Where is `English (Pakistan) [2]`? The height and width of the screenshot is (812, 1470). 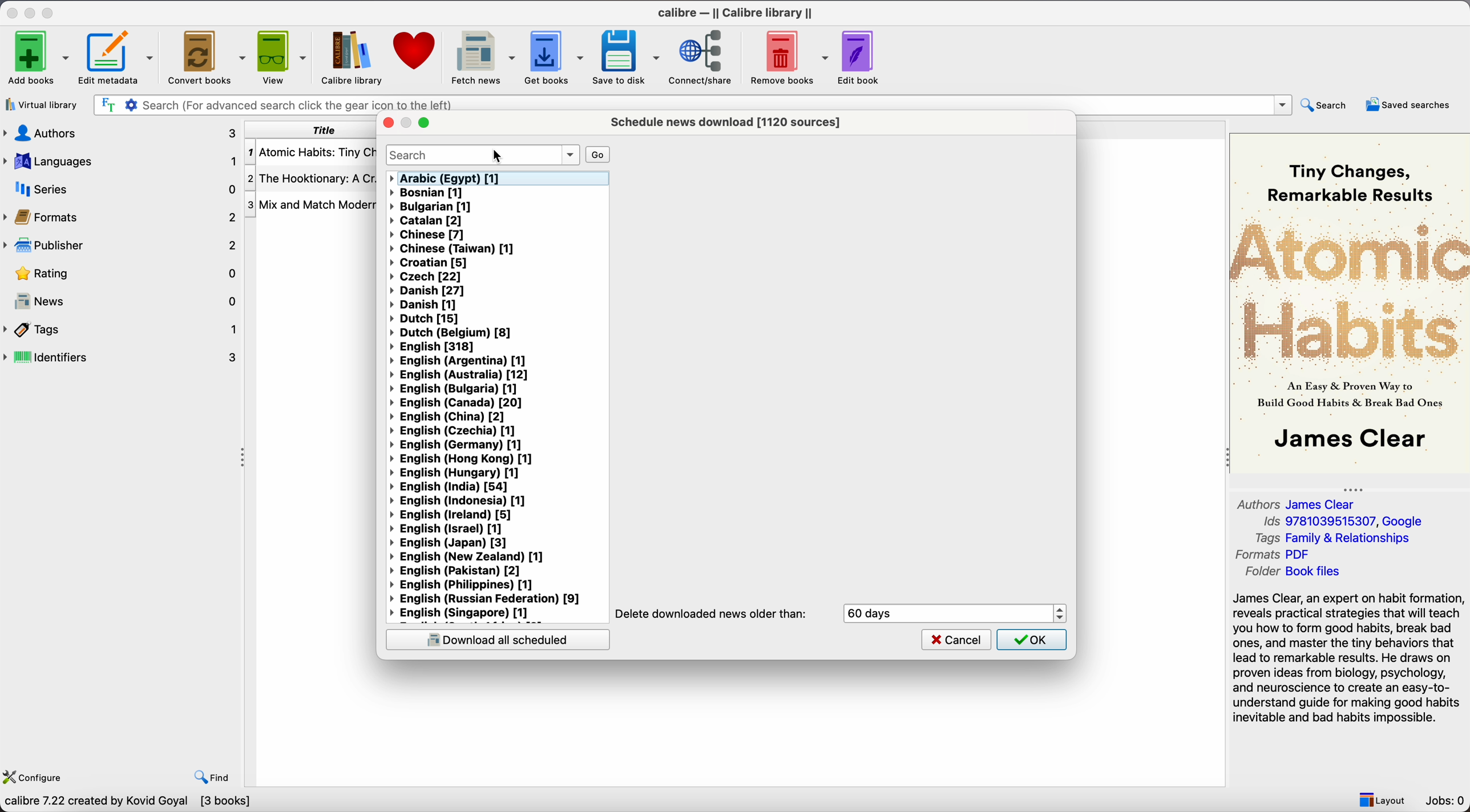
English (Pakistan) [2] is located at coordinates (458, 571).